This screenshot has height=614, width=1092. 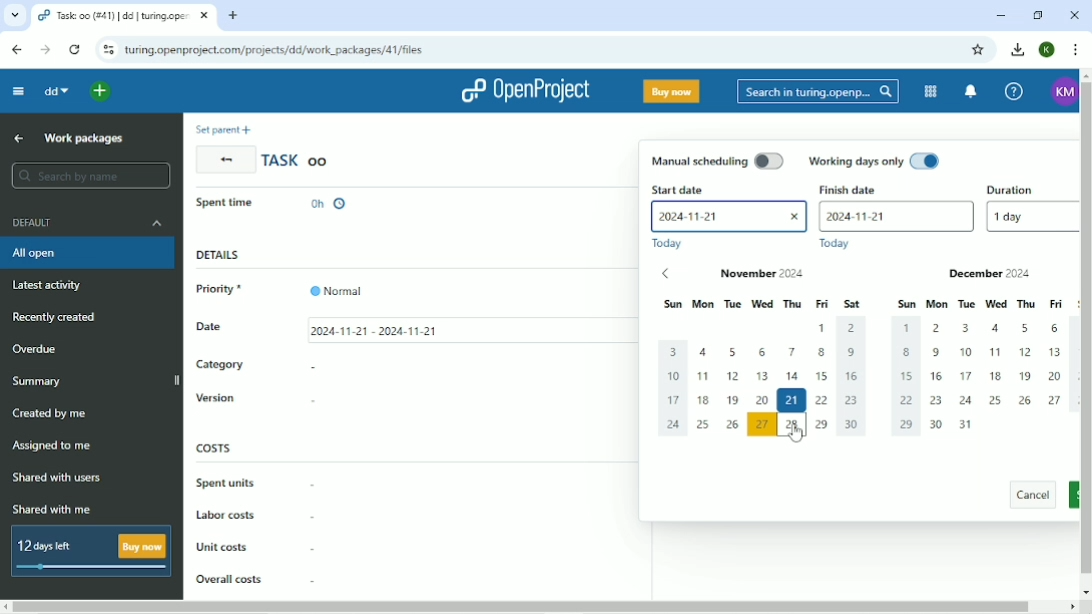 I want to click on Category, so click(x=221, y=364).